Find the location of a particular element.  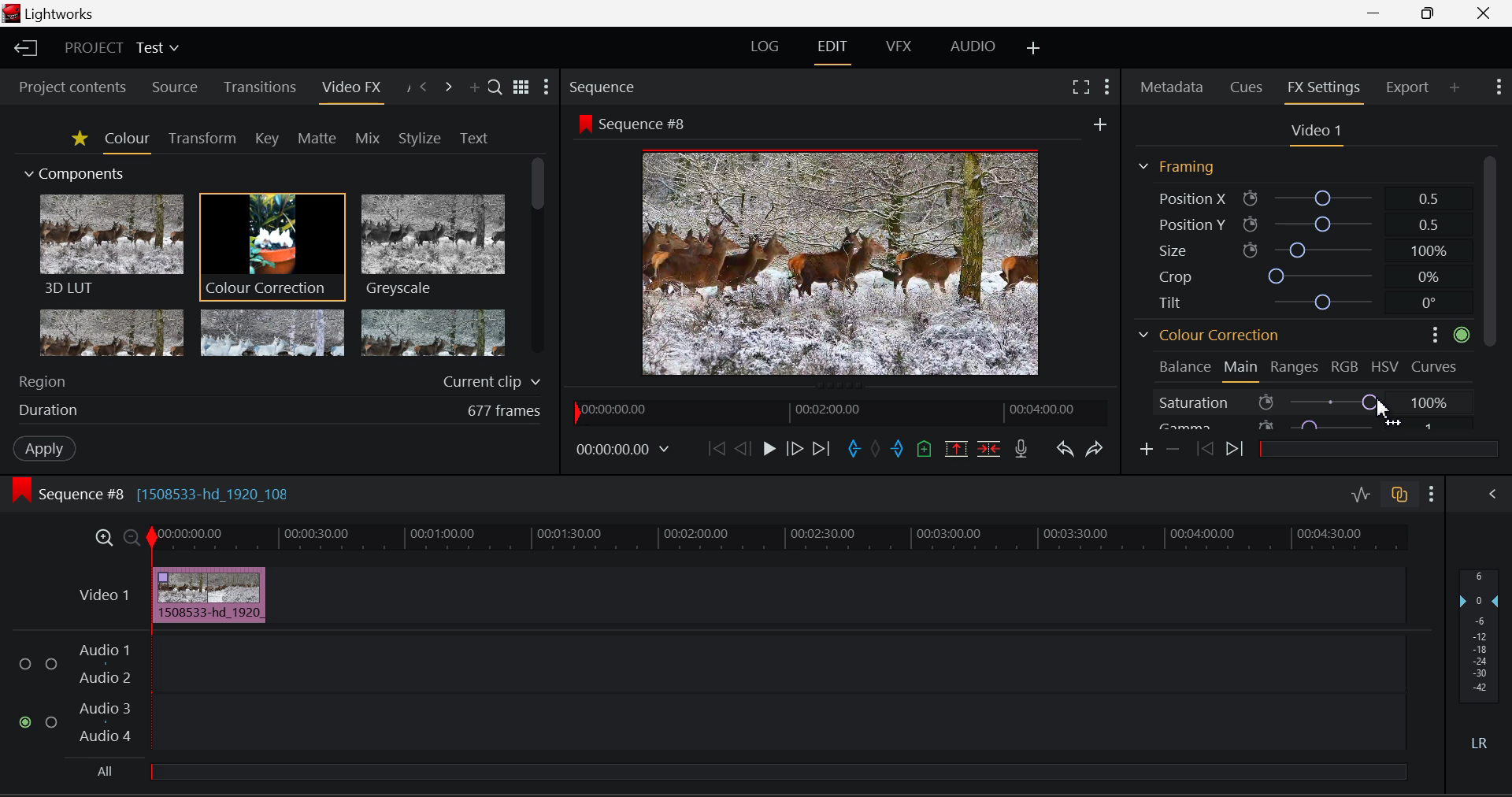

Project Title is located at coordinates (120, 48).